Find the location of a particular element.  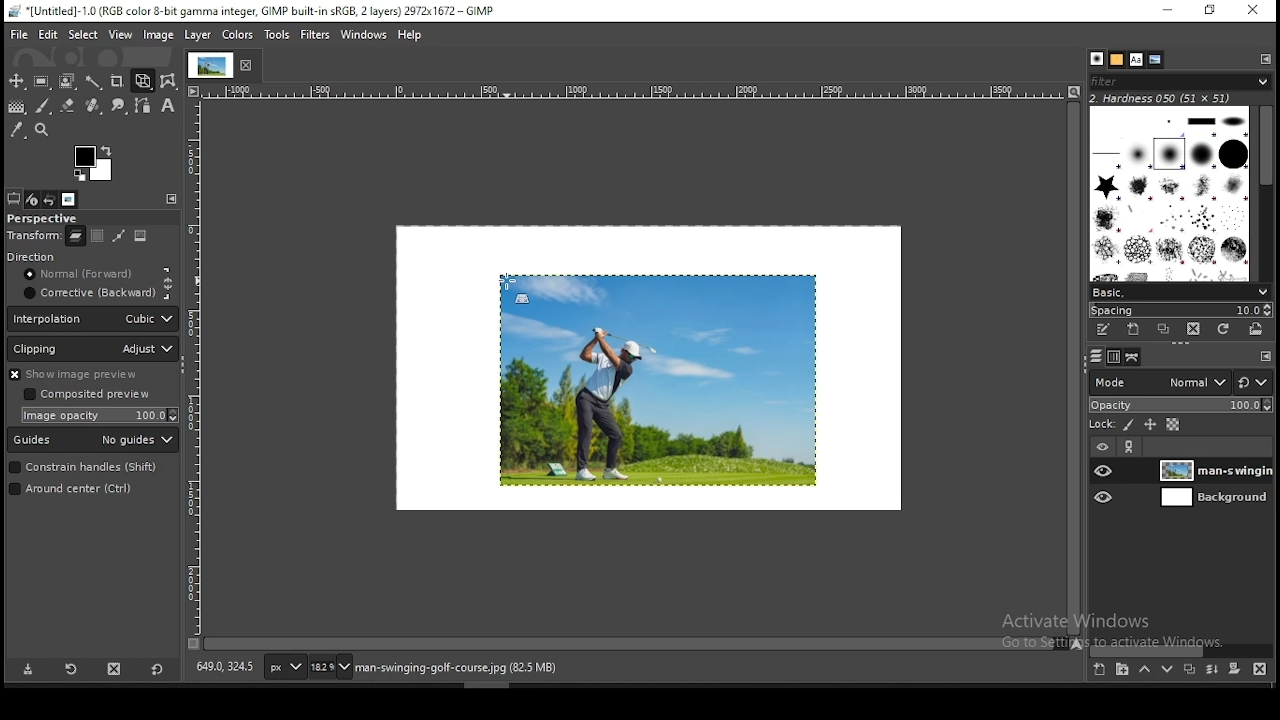

layer visibility on/off is located at coordinates (1104, 499).